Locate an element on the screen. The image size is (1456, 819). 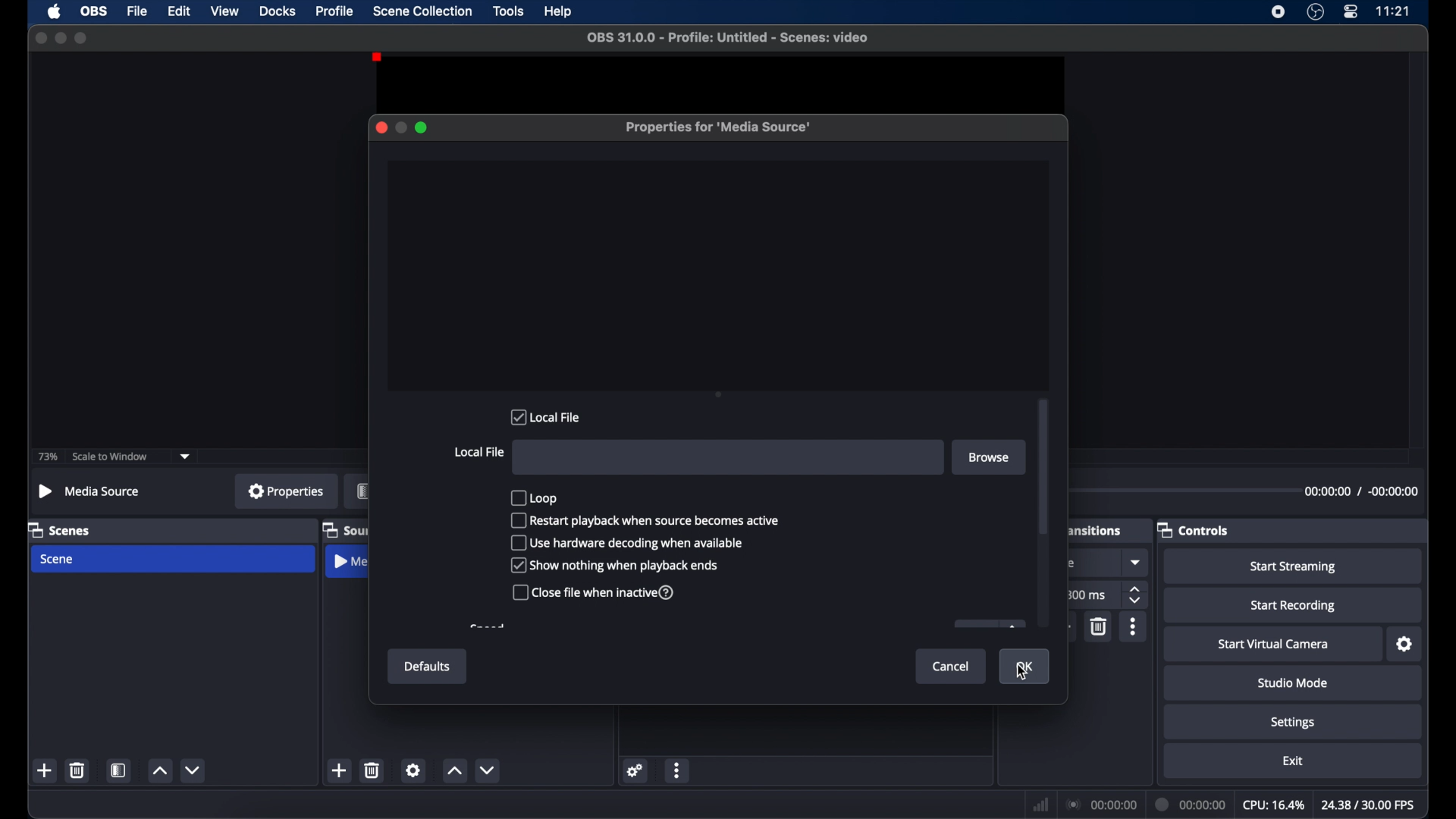
local file is located at coordinates (545, 416).